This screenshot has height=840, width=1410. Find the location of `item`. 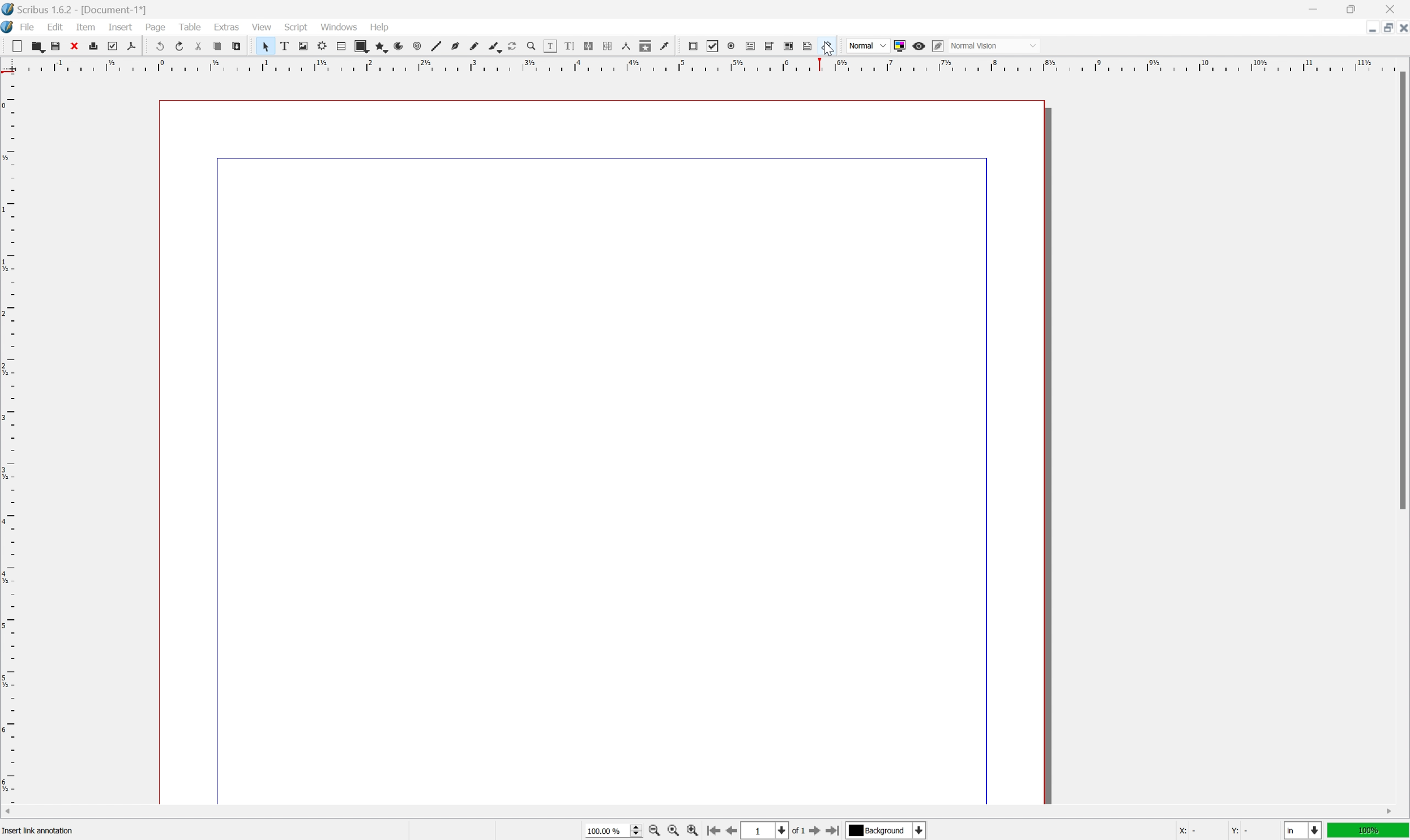

item is located at coordinates (86, 27).